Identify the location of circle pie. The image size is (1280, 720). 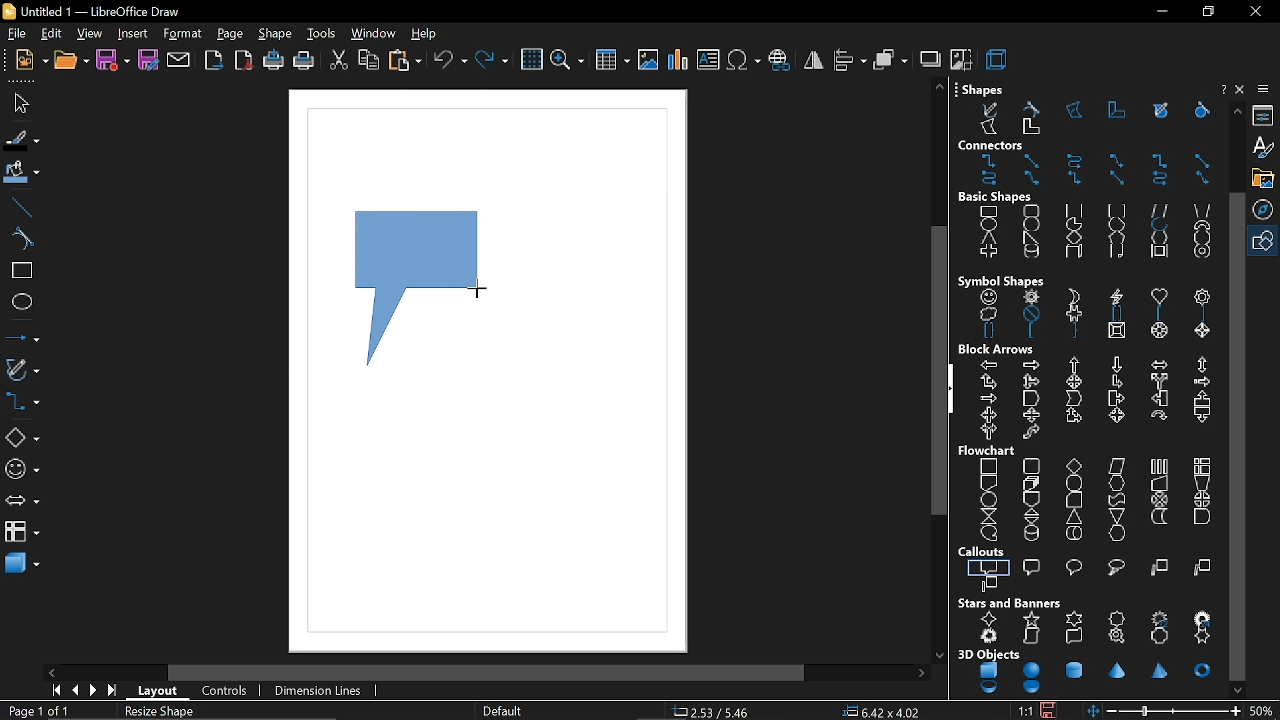
(1074, 224).